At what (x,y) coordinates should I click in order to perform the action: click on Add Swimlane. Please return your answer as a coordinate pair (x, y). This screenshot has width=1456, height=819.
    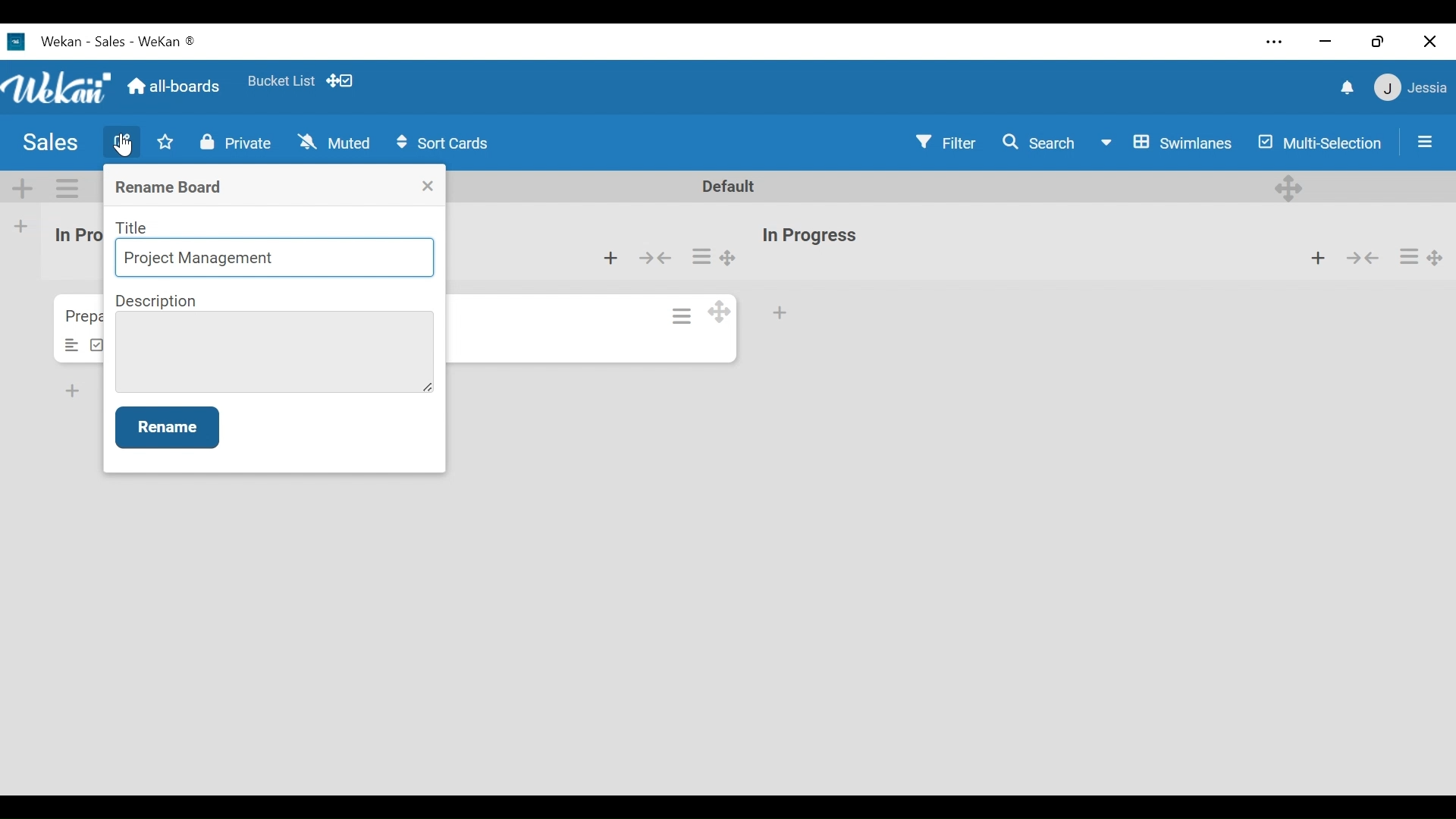
    Looking at the image, I should click on (20, 187).